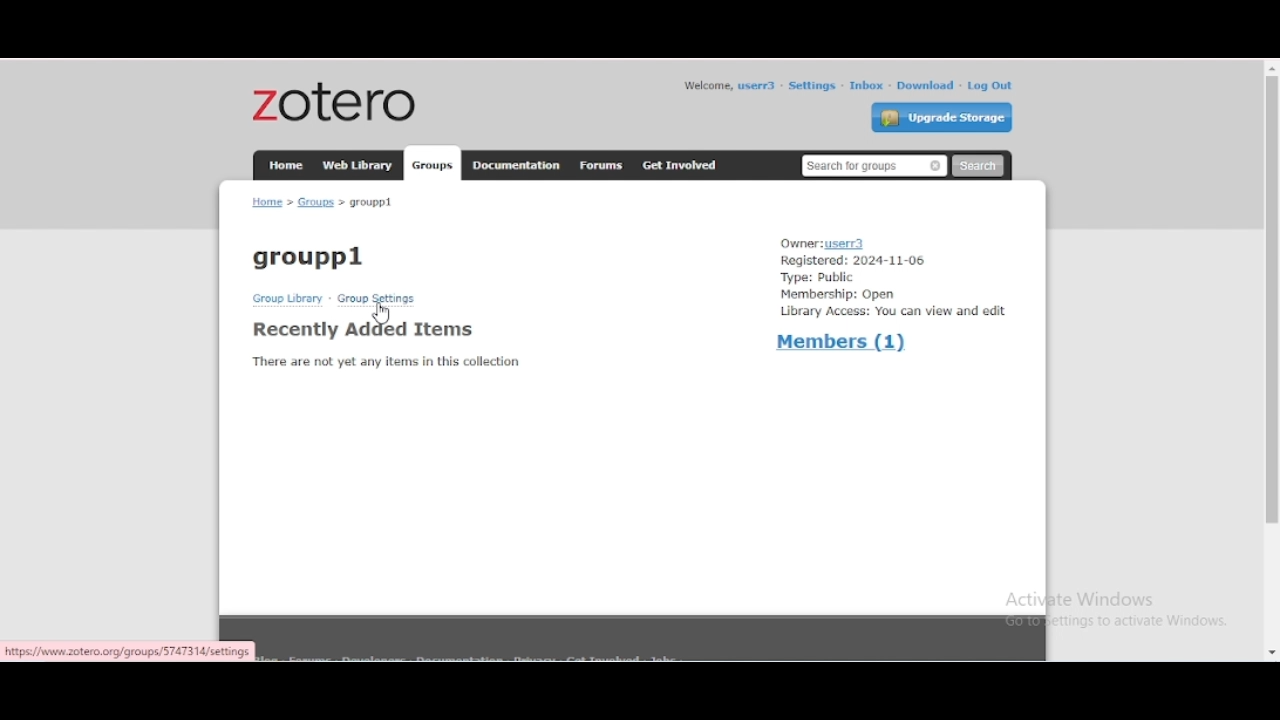 The height and width of the screenshot is (720, 1280). Describe the element at coordinates (942, 117) in the screenshot. I see `upgrade storage` at that location.